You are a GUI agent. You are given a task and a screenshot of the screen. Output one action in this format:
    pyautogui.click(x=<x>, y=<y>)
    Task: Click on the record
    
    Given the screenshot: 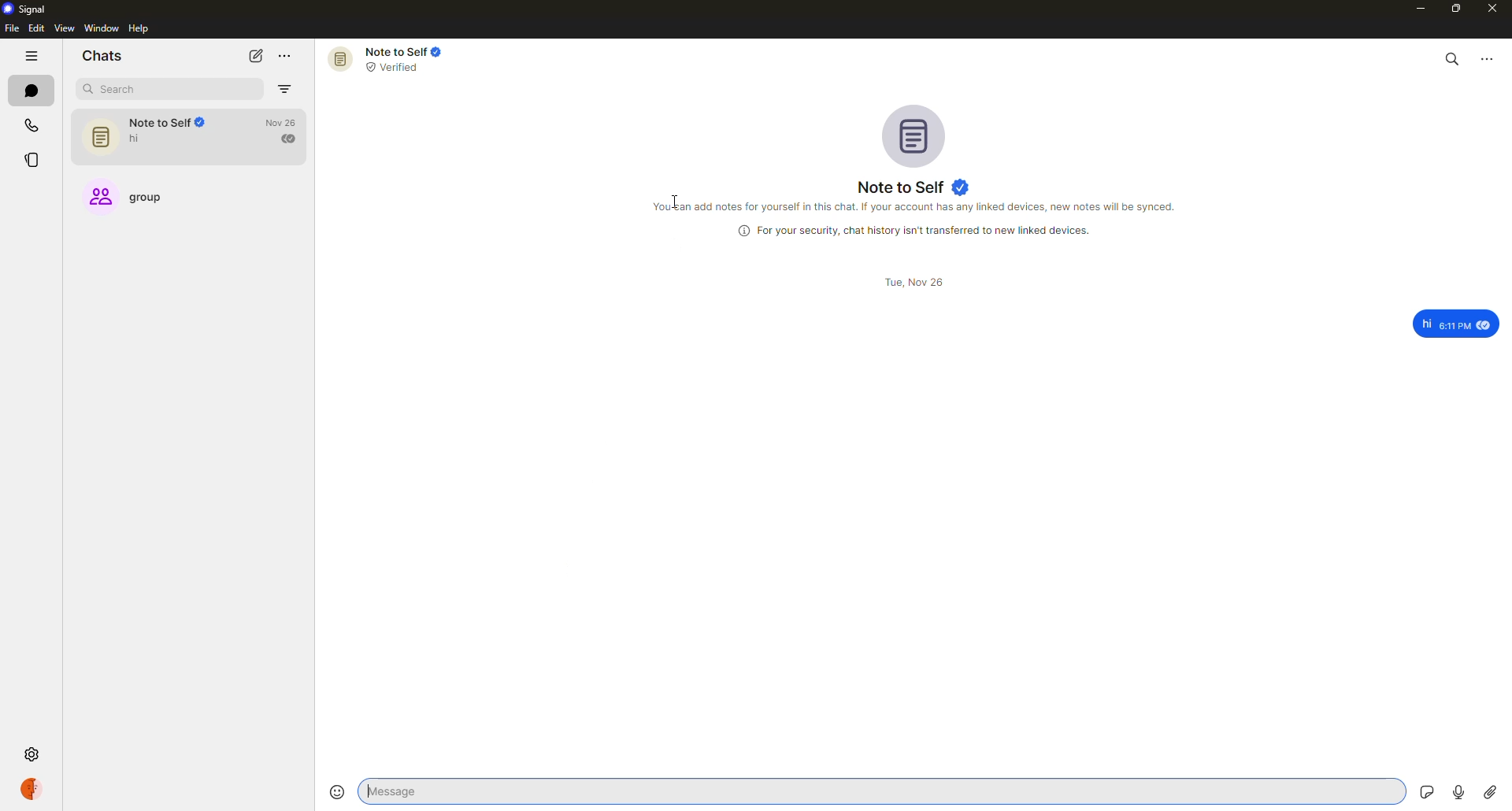 What is the action you would take?
    pyautogui.click(x=1457, y=789)
    